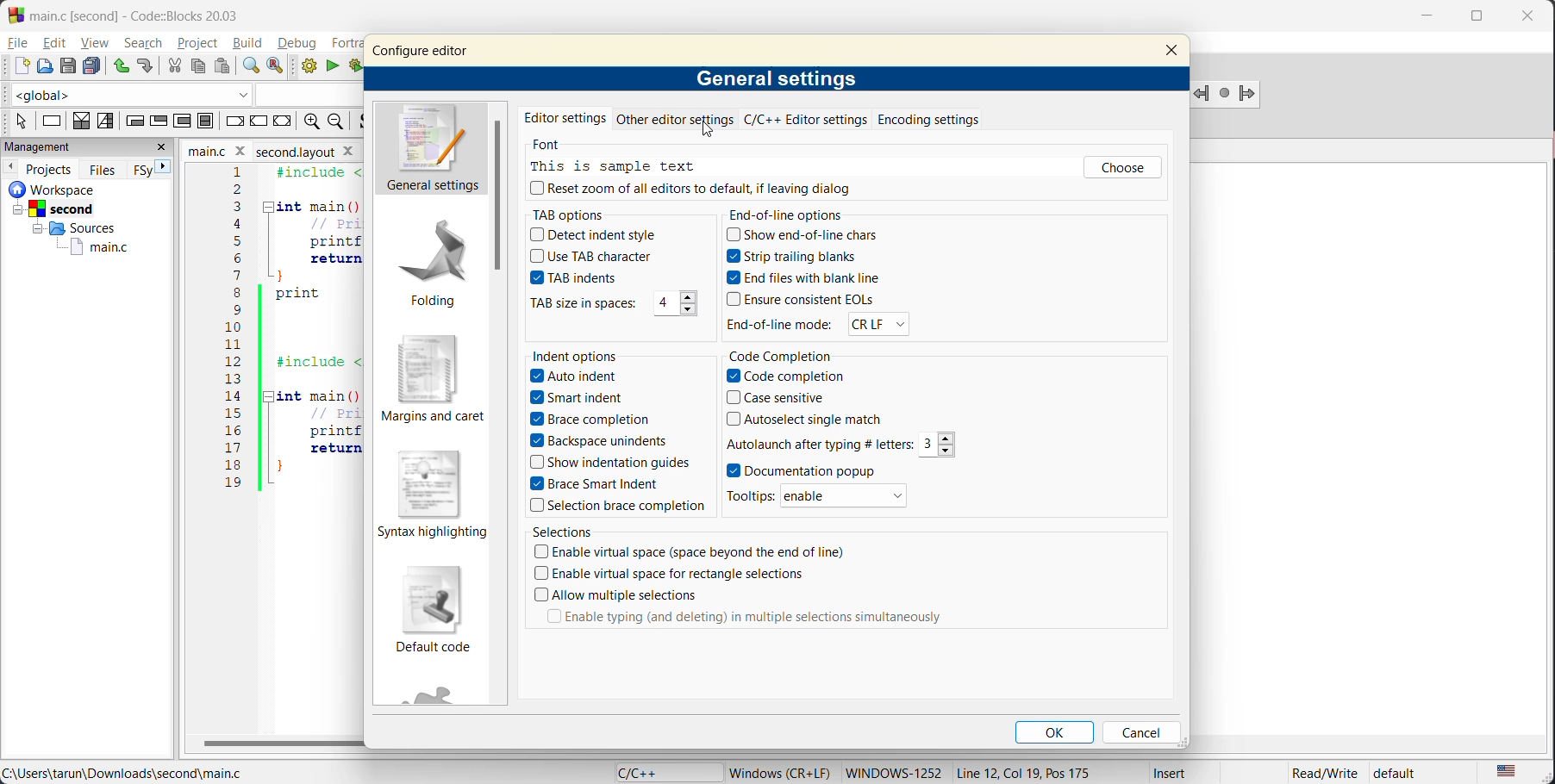 The height and width of the screenshot is (784, 1555). Describe the element at coordinates (50, 169) in the screenshot. I see `projects` at that location.